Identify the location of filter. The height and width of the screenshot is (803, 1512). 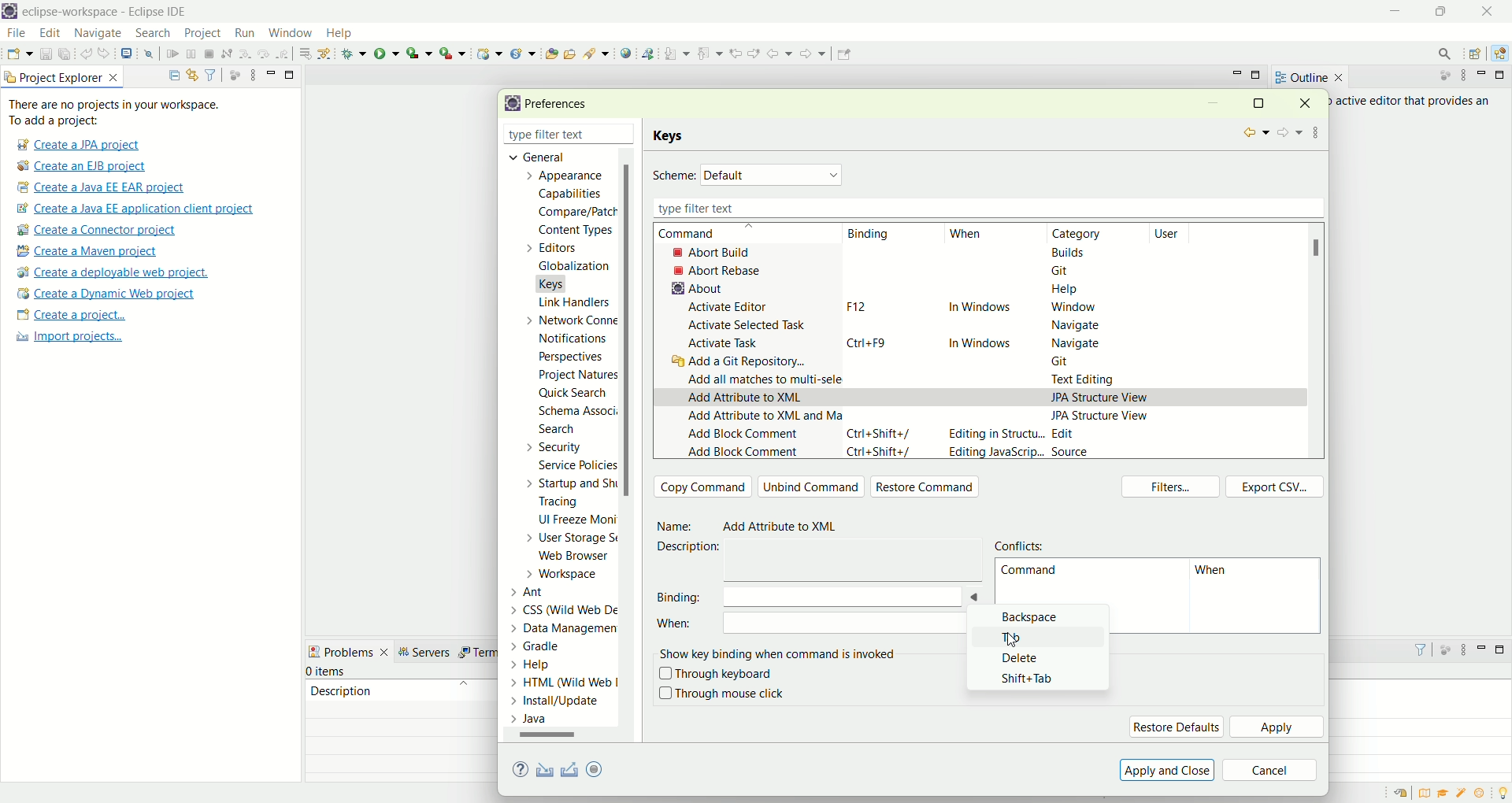
(210, 74).